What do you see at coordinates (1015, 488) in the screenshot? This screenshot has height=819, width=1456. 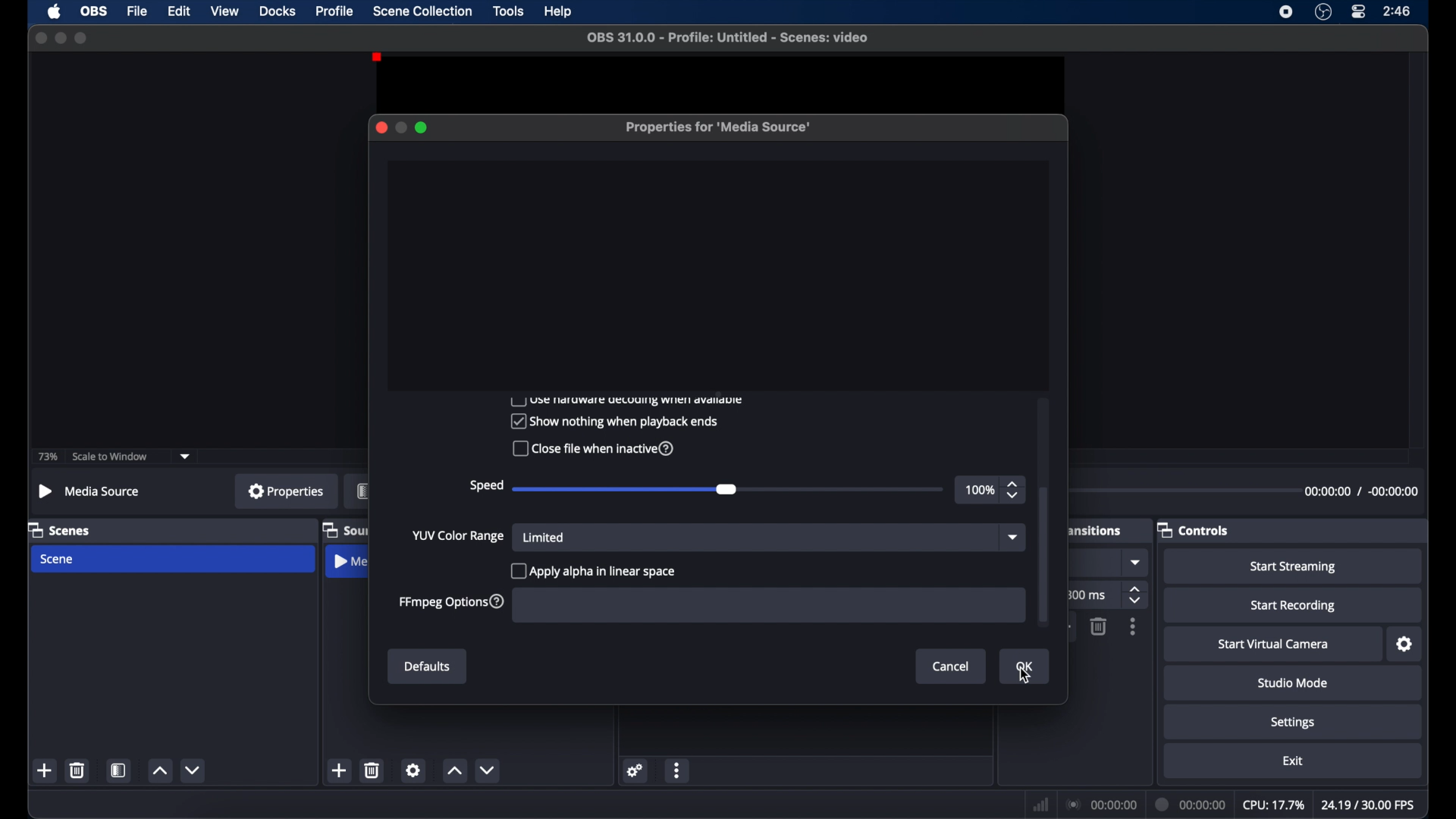 I see `stepper button` at bounding box center [1015, 488].